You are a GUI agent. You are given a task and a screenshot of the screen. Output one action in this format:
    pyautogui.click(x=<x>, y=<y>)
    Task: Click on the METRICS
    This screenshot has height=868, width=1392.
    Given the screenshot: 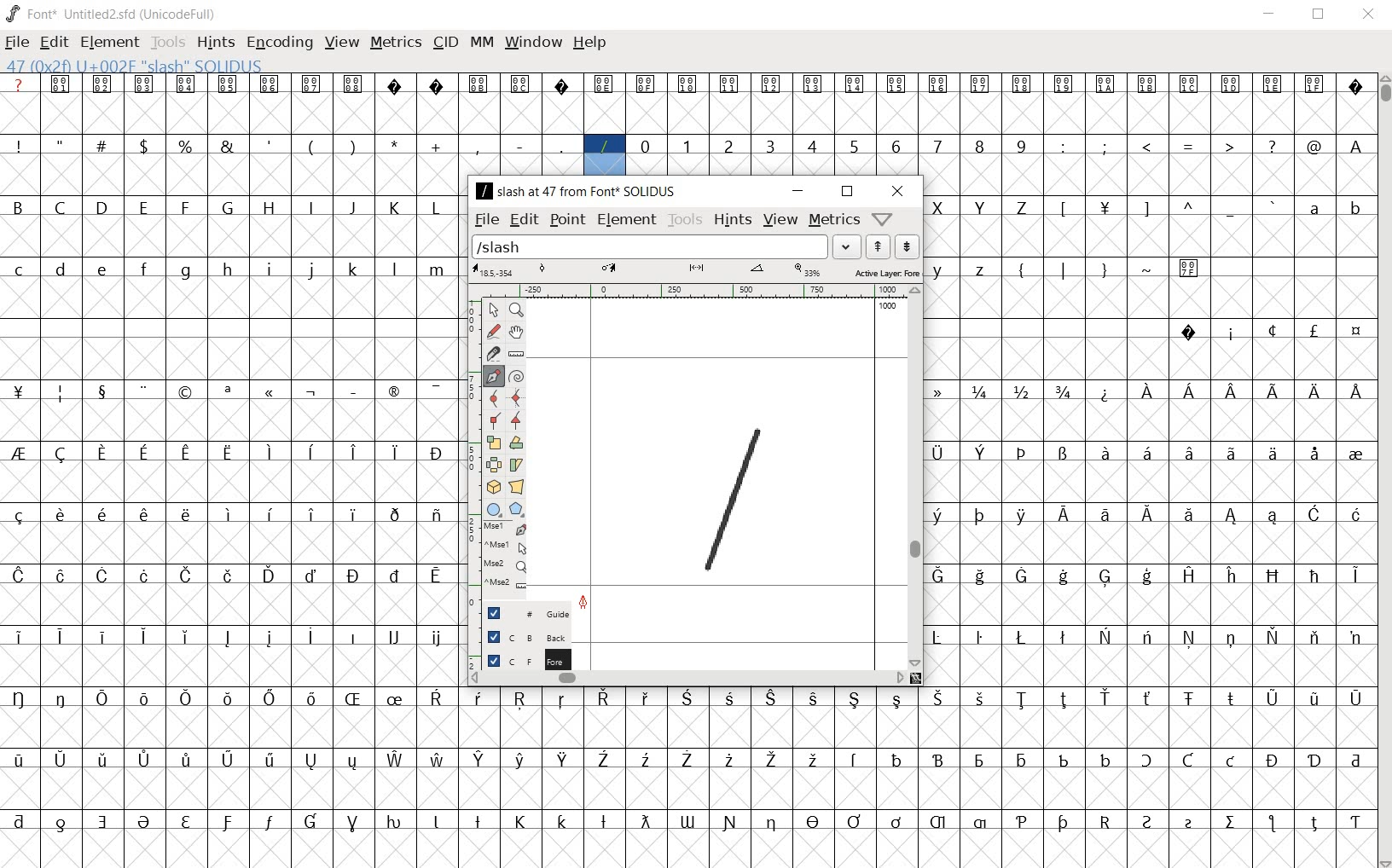 What is the action you would take?
    pyautogui.click(x=393, y=45)
    